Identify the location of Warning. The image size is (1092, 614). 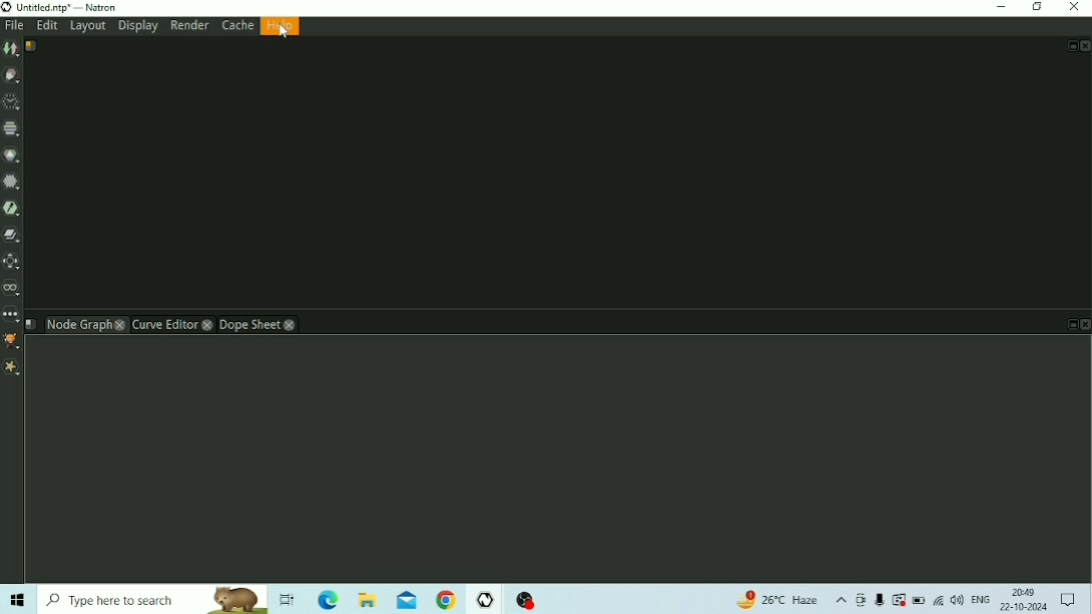
(897, 600).